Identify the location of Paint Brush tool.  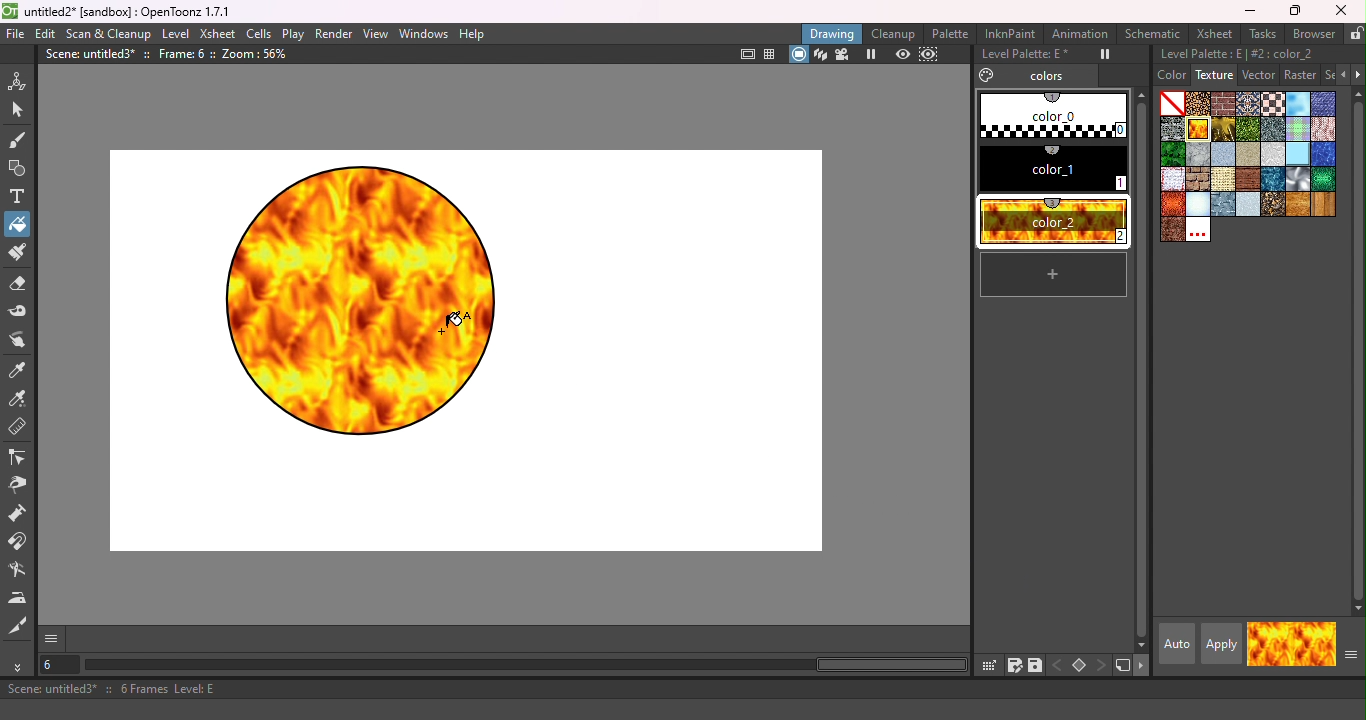
(20, 254).